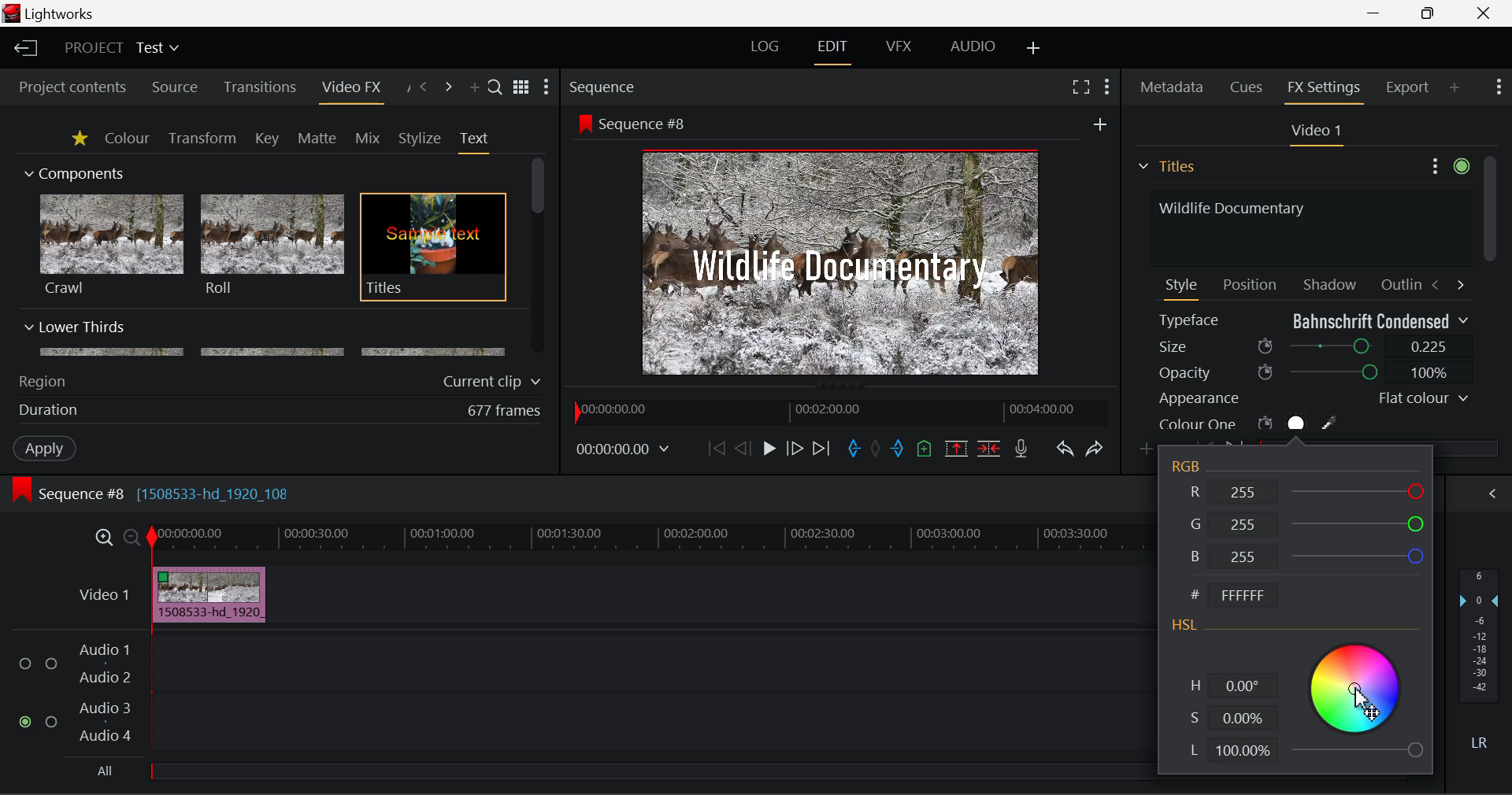 Image resolution: width=1512 pixels, height=795 pixels. What do you see at coordinates (1326, 90) in the screenshot?
I see `FX Settings Open` at bounding box center [1326, 90].